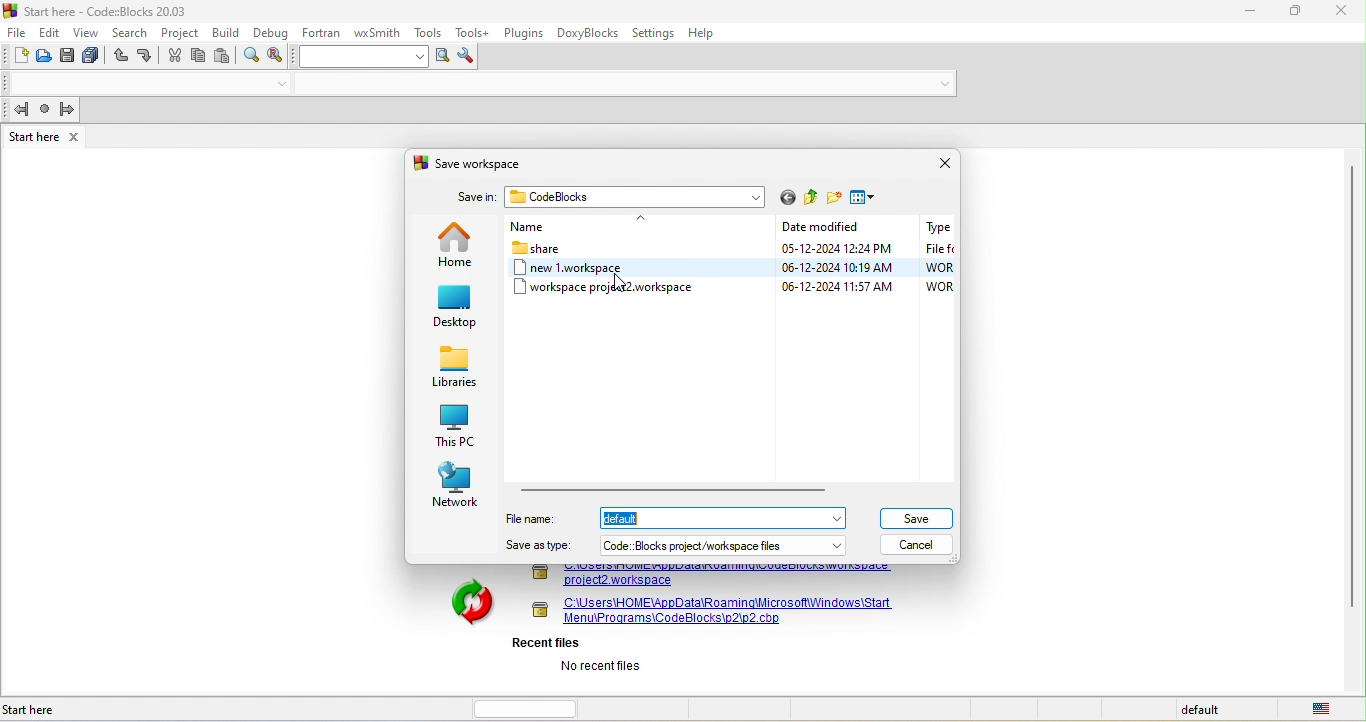  What do you see at coordinates (479, 162) in the screenshot?
I see `save workspace` at bounding box center [479, 162].